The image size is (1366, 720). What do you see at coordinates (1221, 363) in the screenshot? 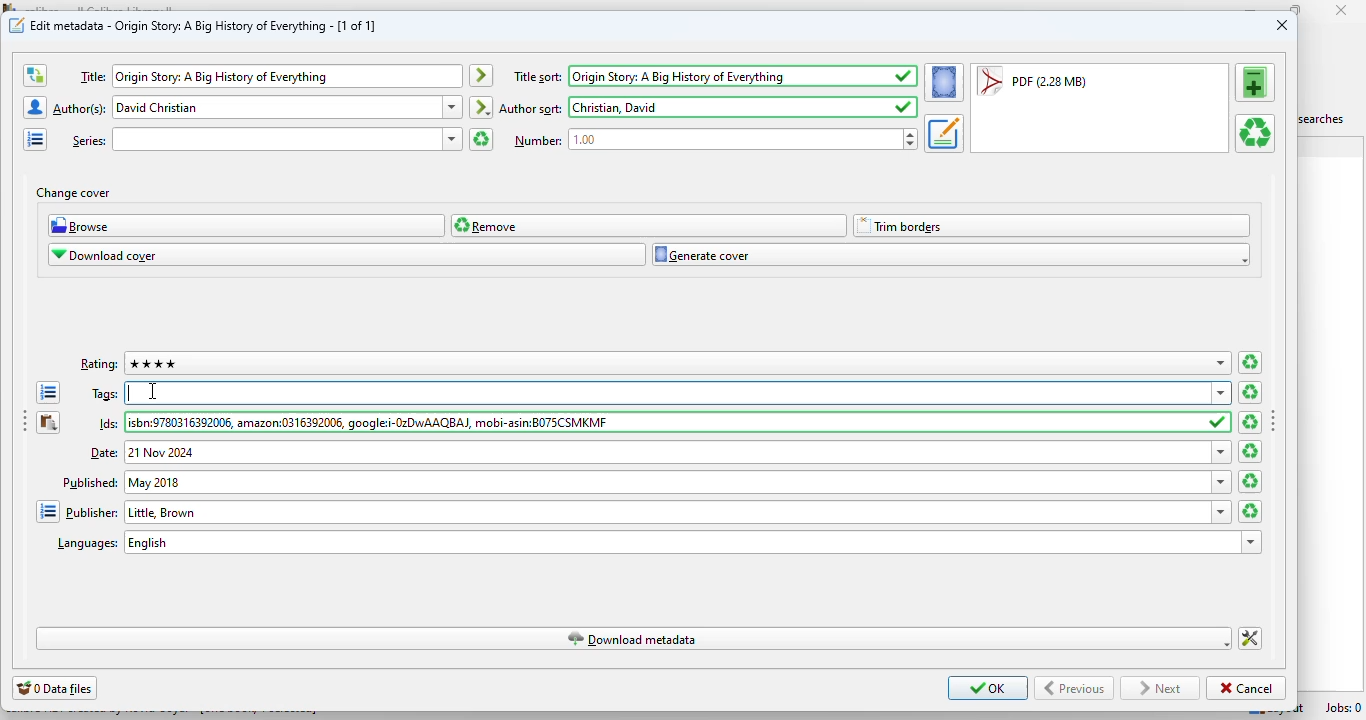
I see `dropdown` at bounding box center [1221, 363].